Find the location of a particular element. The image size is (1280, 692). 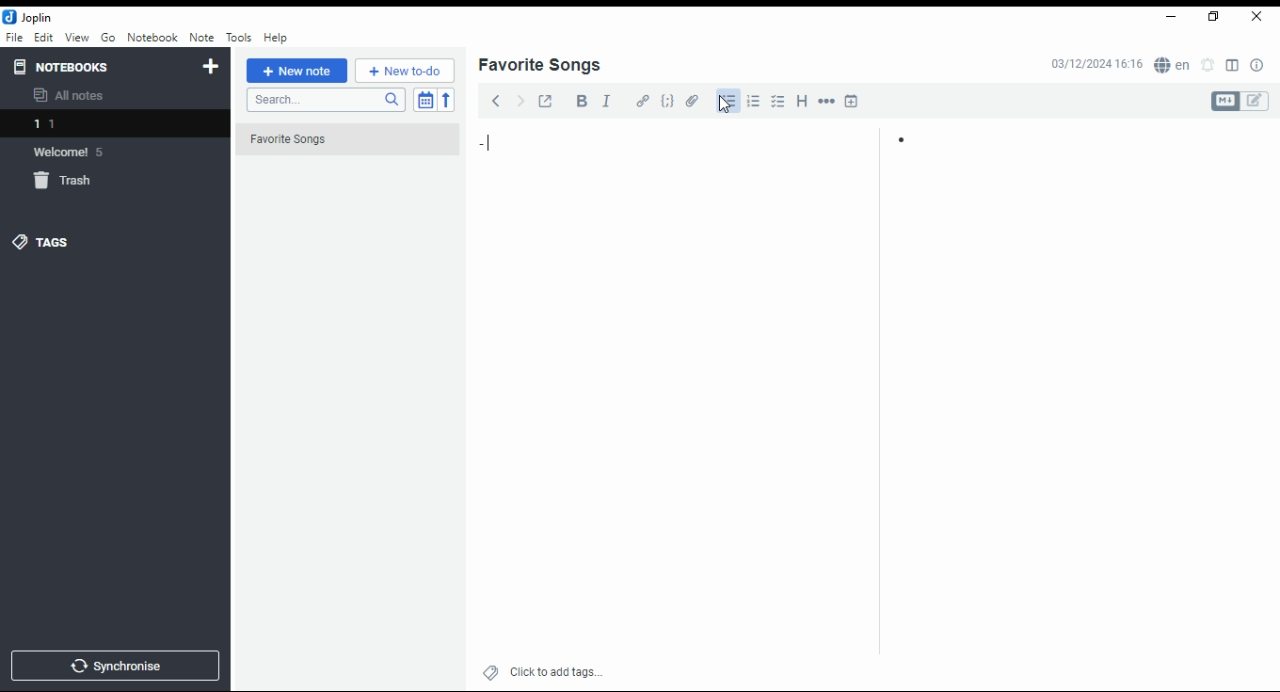

Favorite Songs is located at coordinates (337, 140).